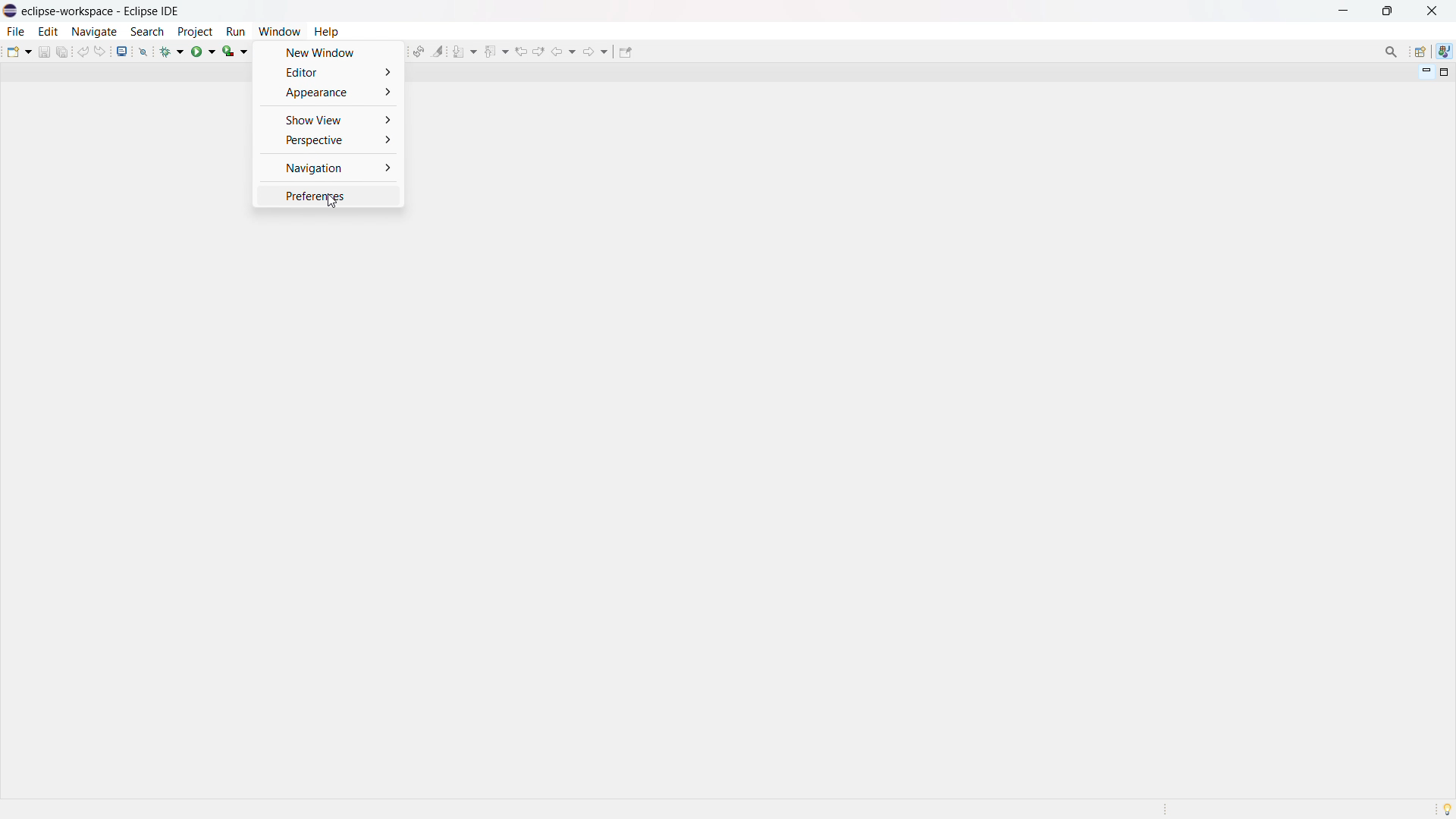 This screenshot has height=819, width=1456. Describe the element at coordinates (194, 32) in the screenshot. I see `project` at that location.